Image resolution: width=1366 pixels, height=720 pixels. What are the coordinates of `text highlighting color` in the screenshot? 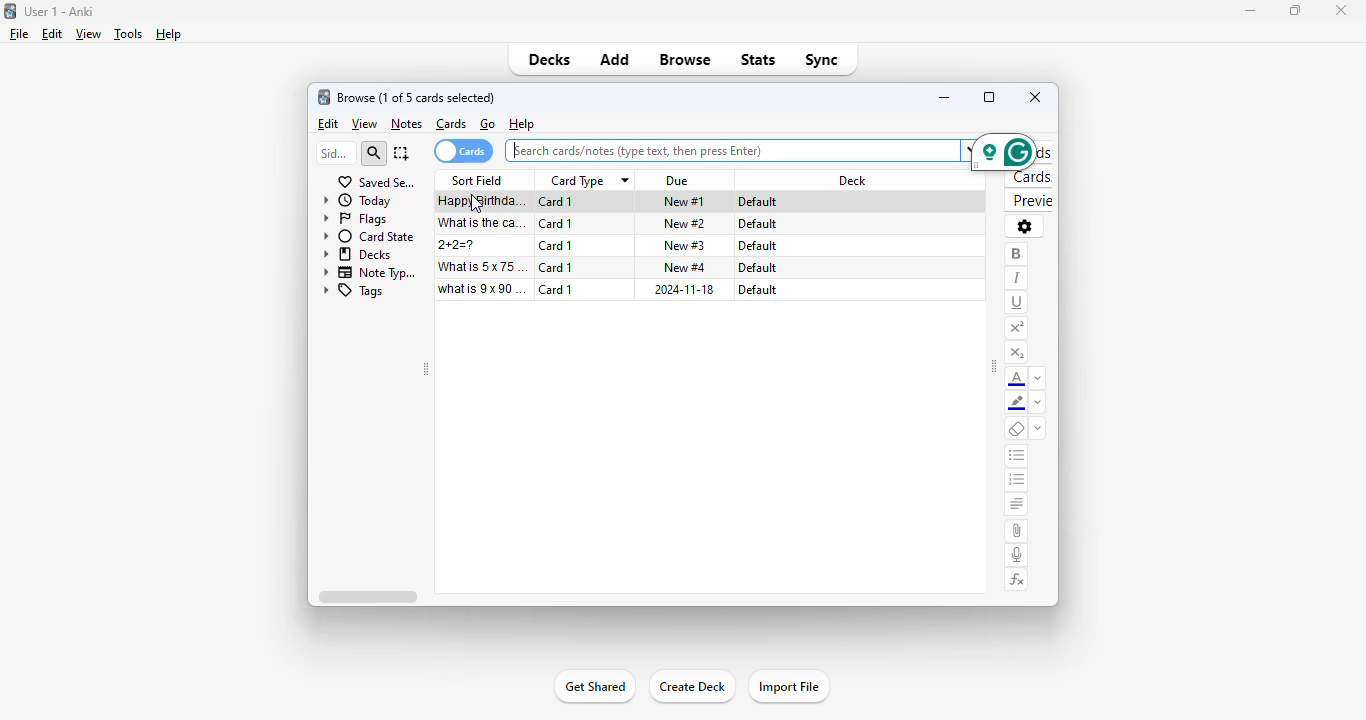 It's located at (1017, 404).